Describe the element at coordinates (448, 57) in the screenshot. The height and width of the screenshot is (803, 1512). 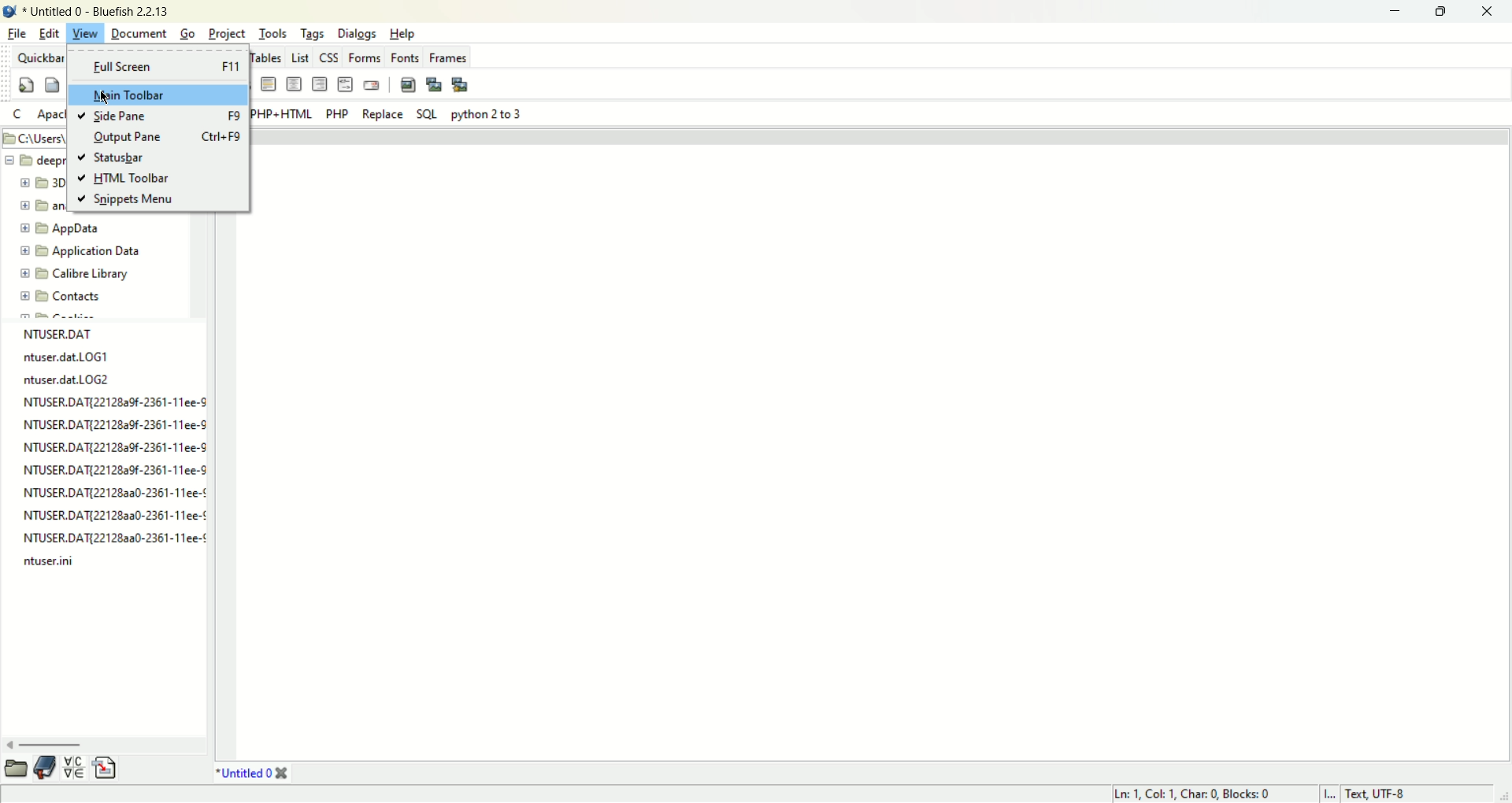
I see `frames` at that location.